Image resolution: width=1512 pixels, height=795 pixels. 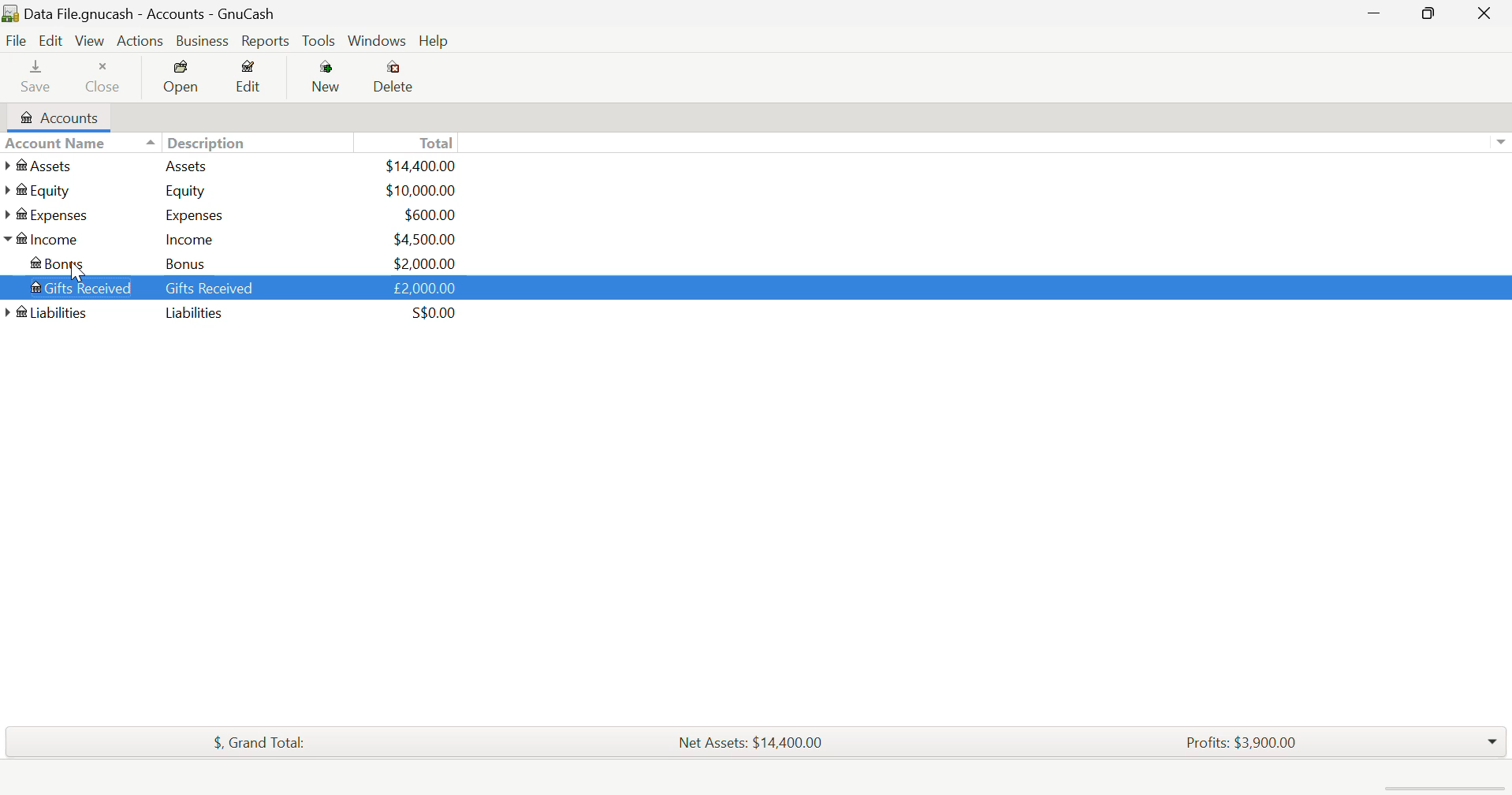 I want to click on Assets, so click(x=185, y=166).